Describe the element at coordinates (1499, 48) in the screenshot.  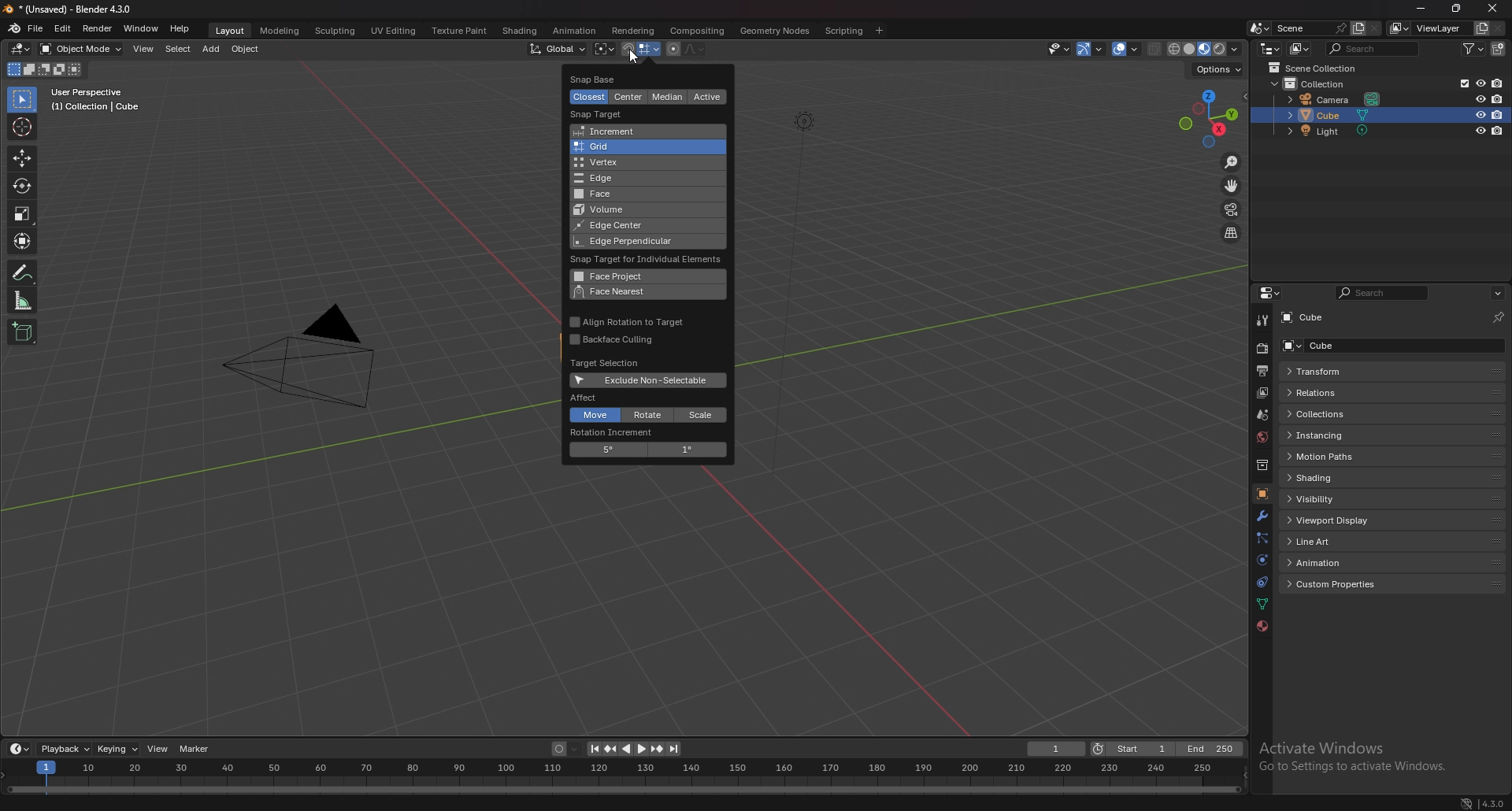
I see `add collection` at that location.